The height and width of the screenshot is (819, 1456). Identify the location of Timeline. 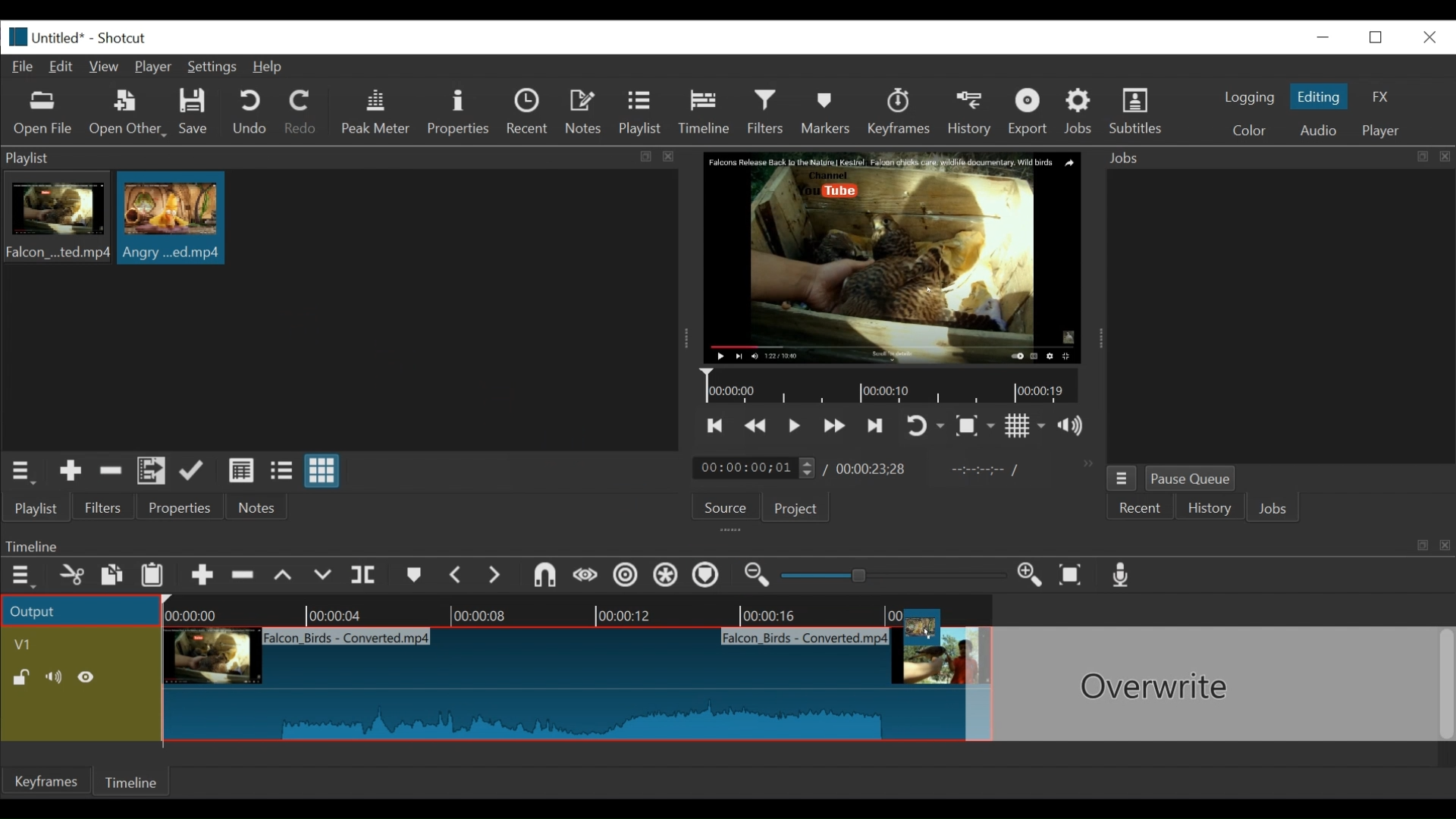
(574, 612).